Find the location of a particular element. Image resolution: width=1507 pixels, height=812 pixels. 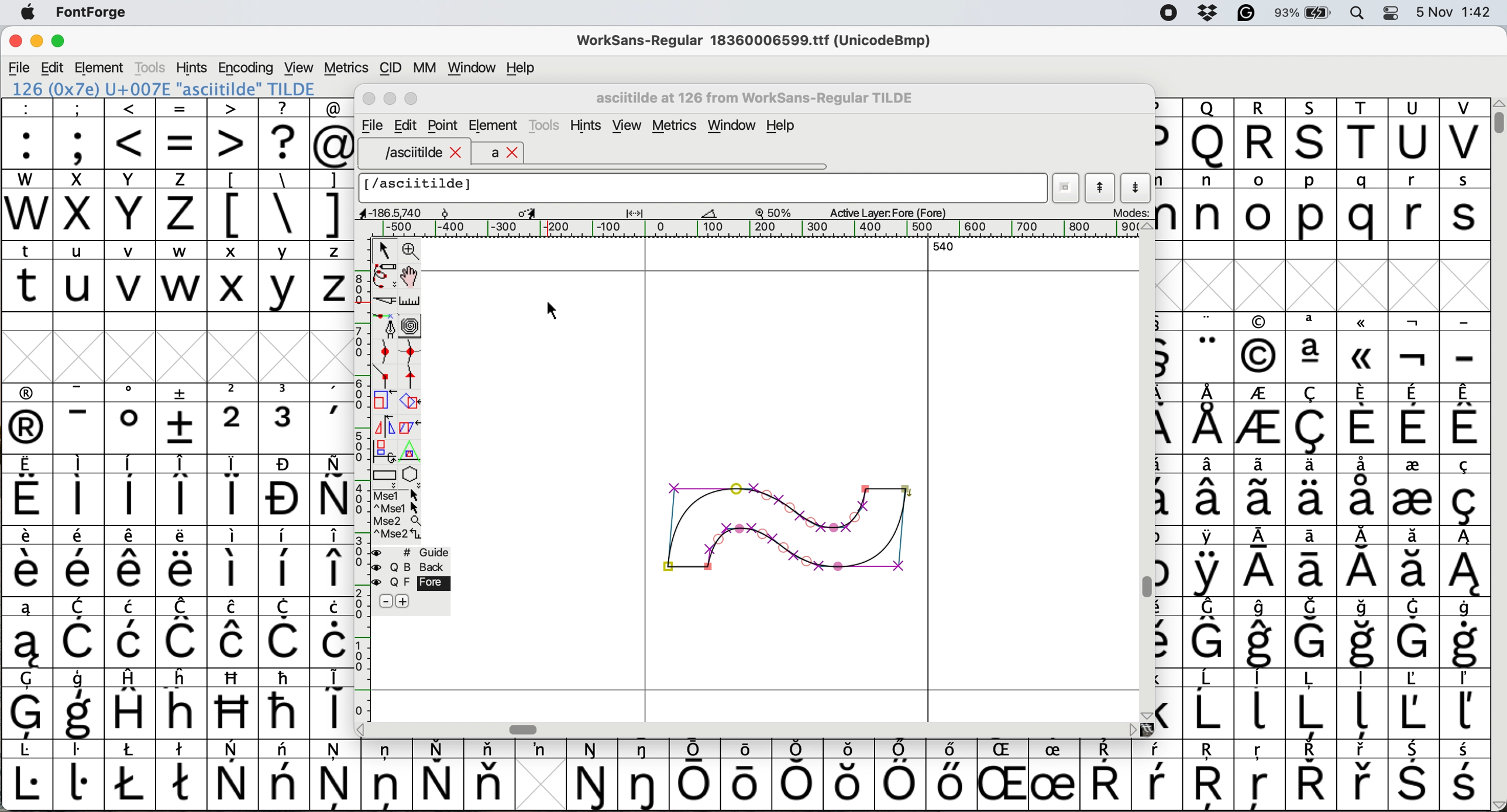

Point is located at coordinates (444, 127).